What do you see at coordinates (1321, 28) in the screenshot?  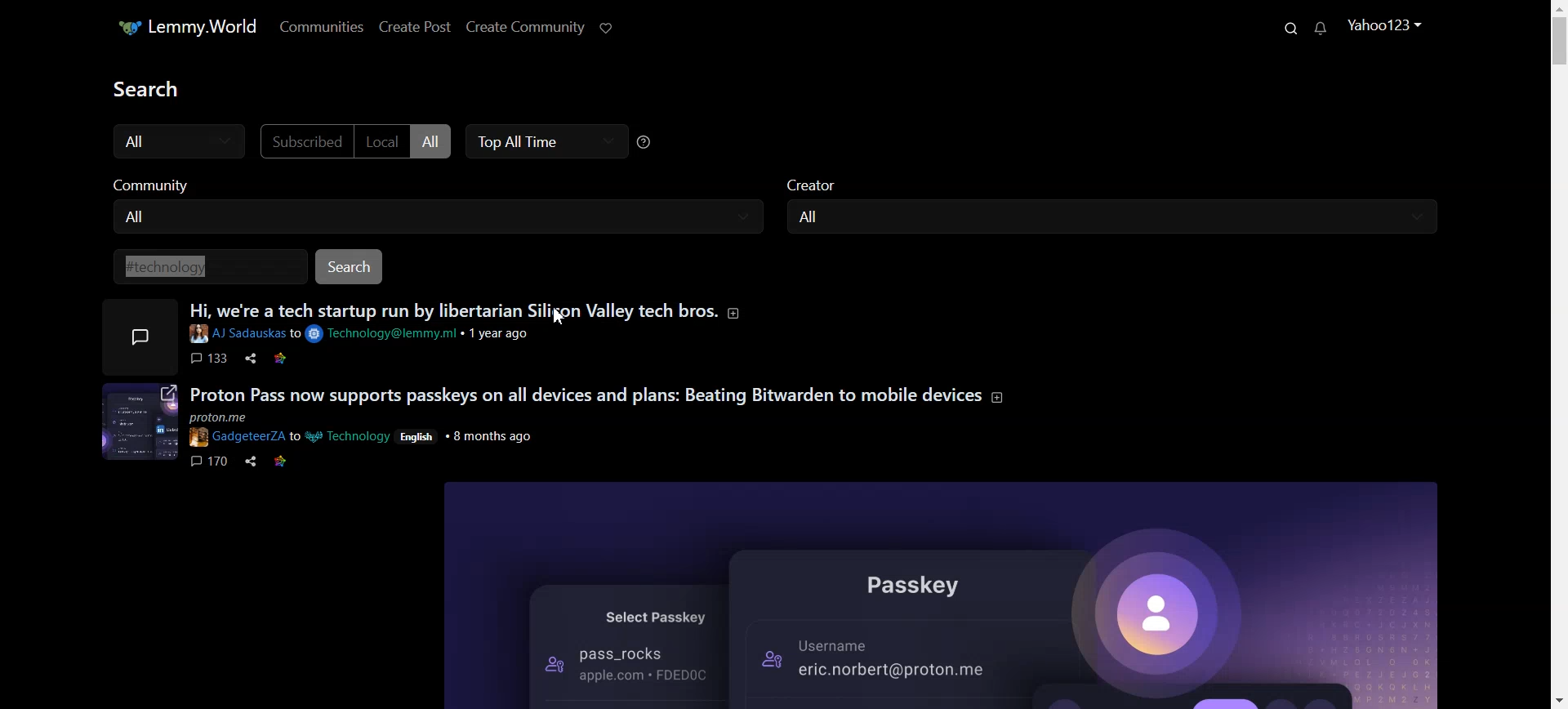 I see `Notification` at bounding box center [1321, 28].